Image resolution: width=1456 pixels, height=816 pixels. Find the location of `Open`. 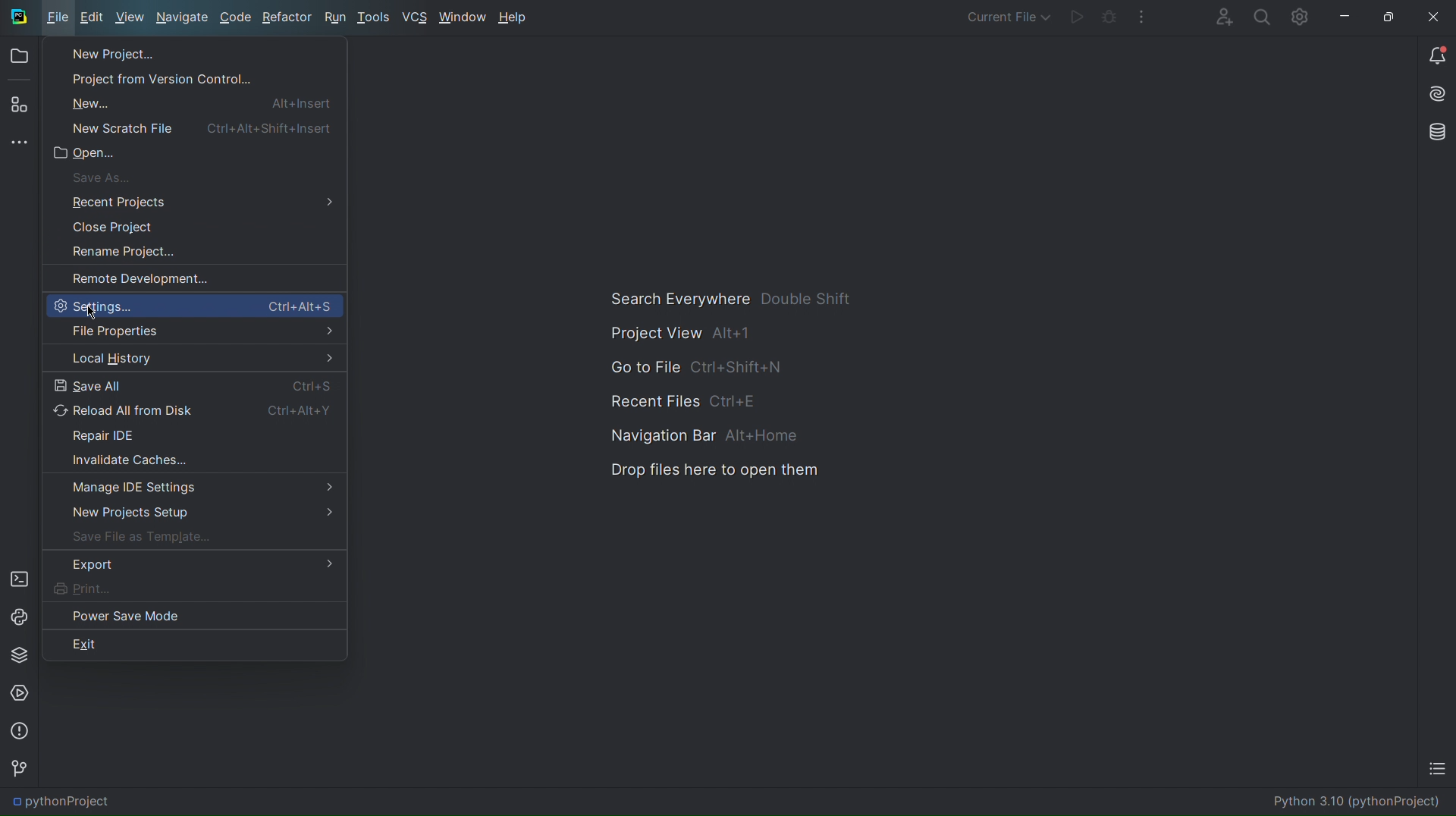

Open is located at coordinates (87, 154).